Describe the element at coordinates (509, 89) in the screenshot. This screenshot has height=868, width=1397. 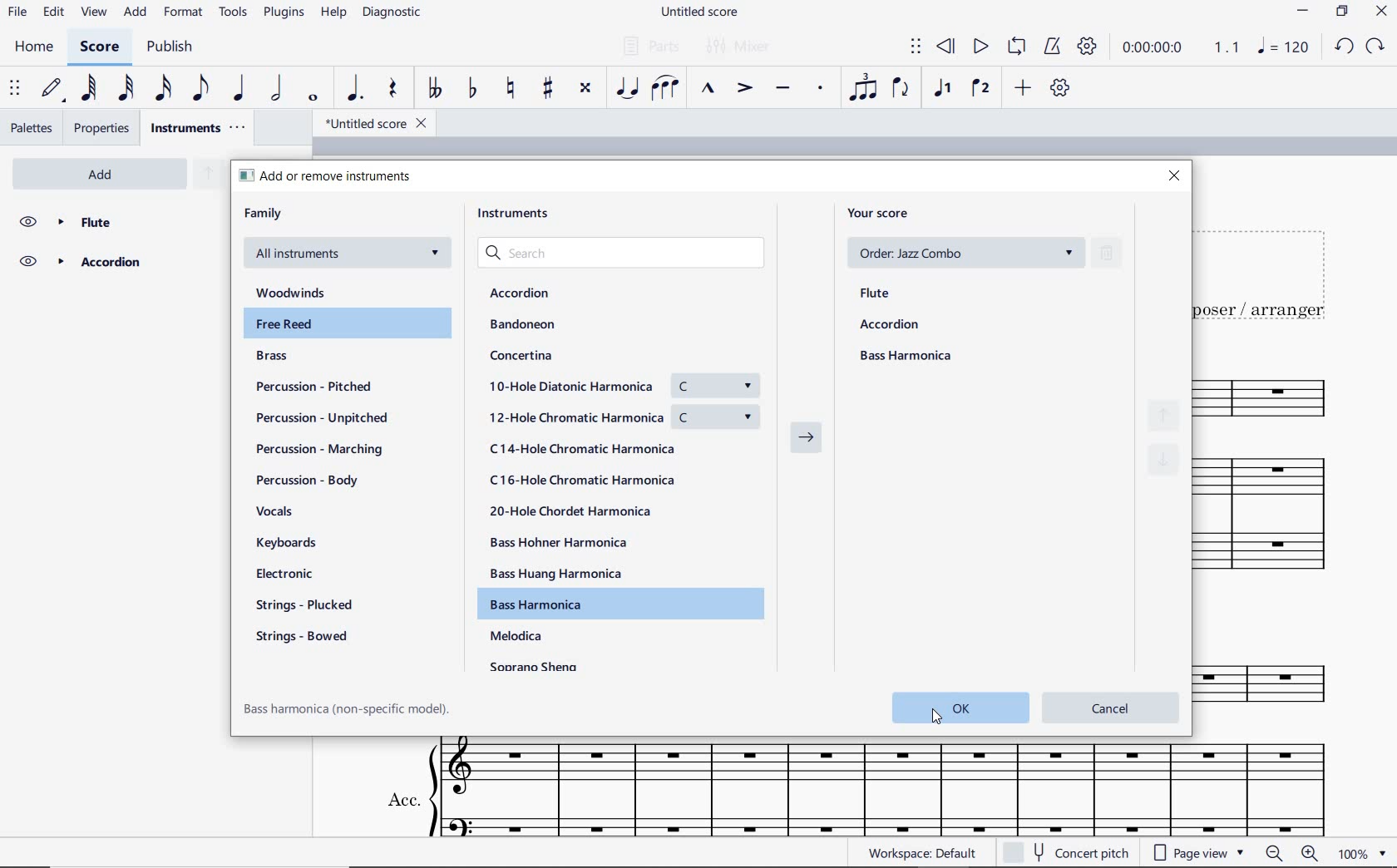
I see `toggle natural` at that location.